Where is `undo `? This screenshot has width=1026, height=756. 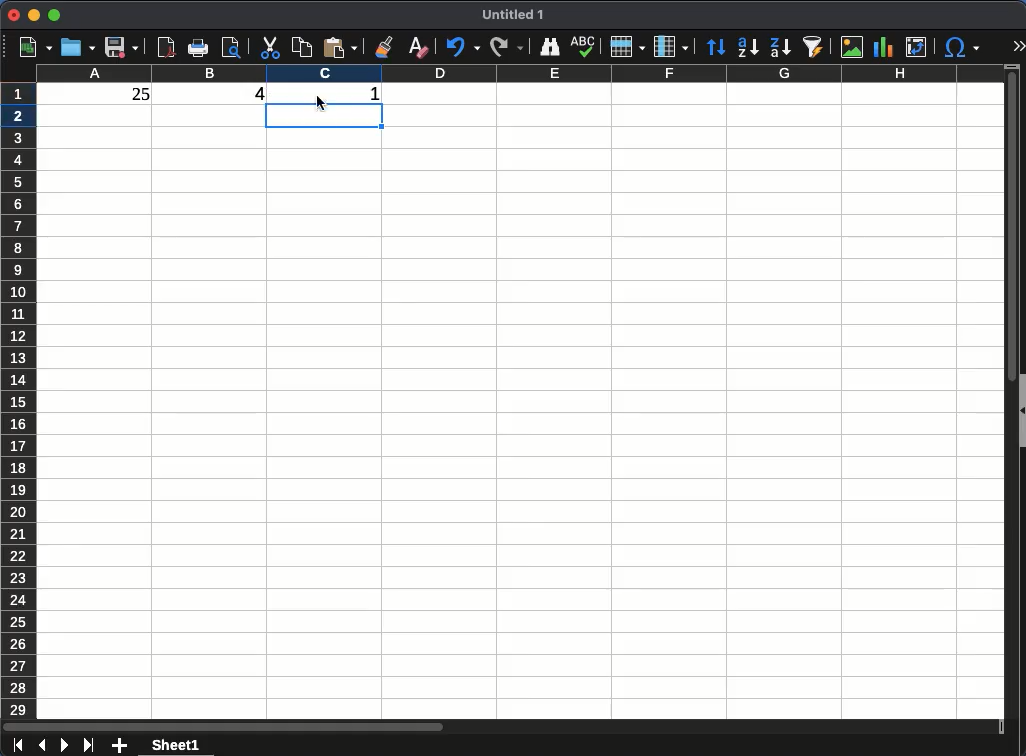 undo  is located at coordinates (463, 47).